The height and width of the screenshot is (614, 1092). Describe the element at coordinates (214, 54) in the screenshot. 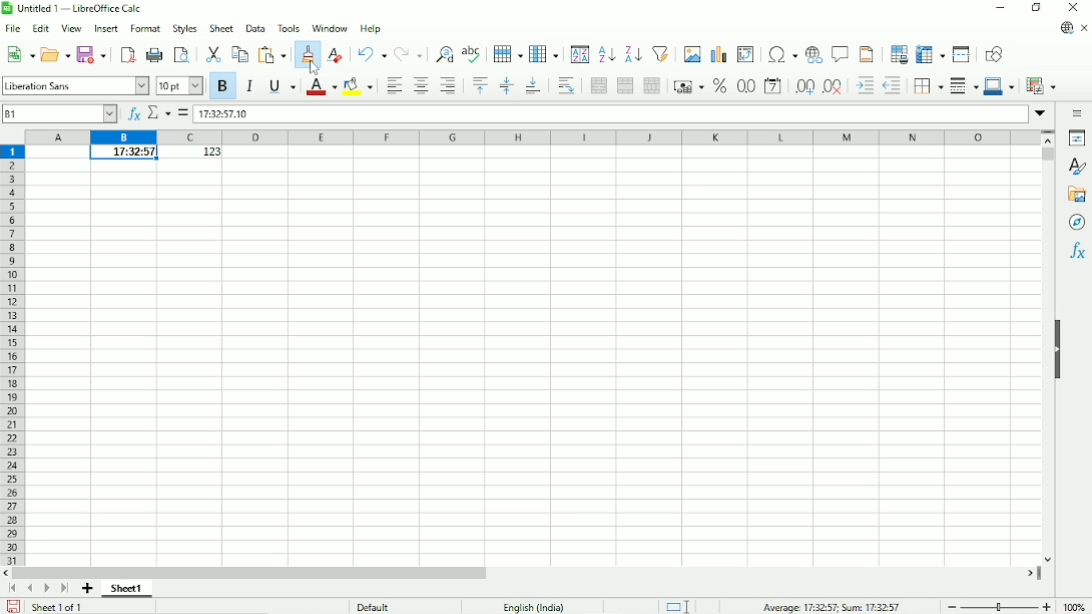

I see `Cut` at that location.